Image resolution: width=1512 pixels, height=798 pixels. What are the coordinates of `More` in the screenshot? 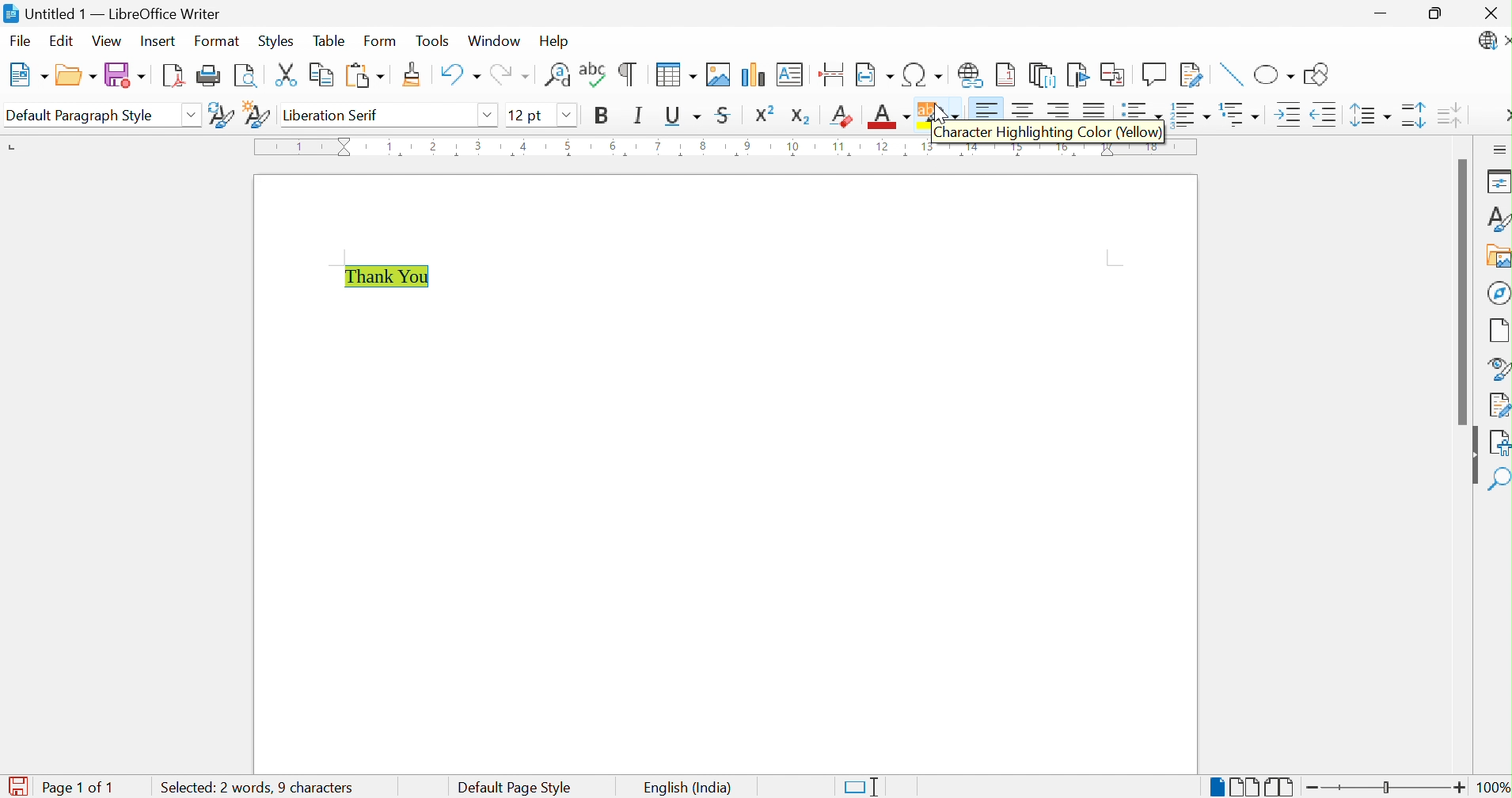 It's located at (1503, 116).